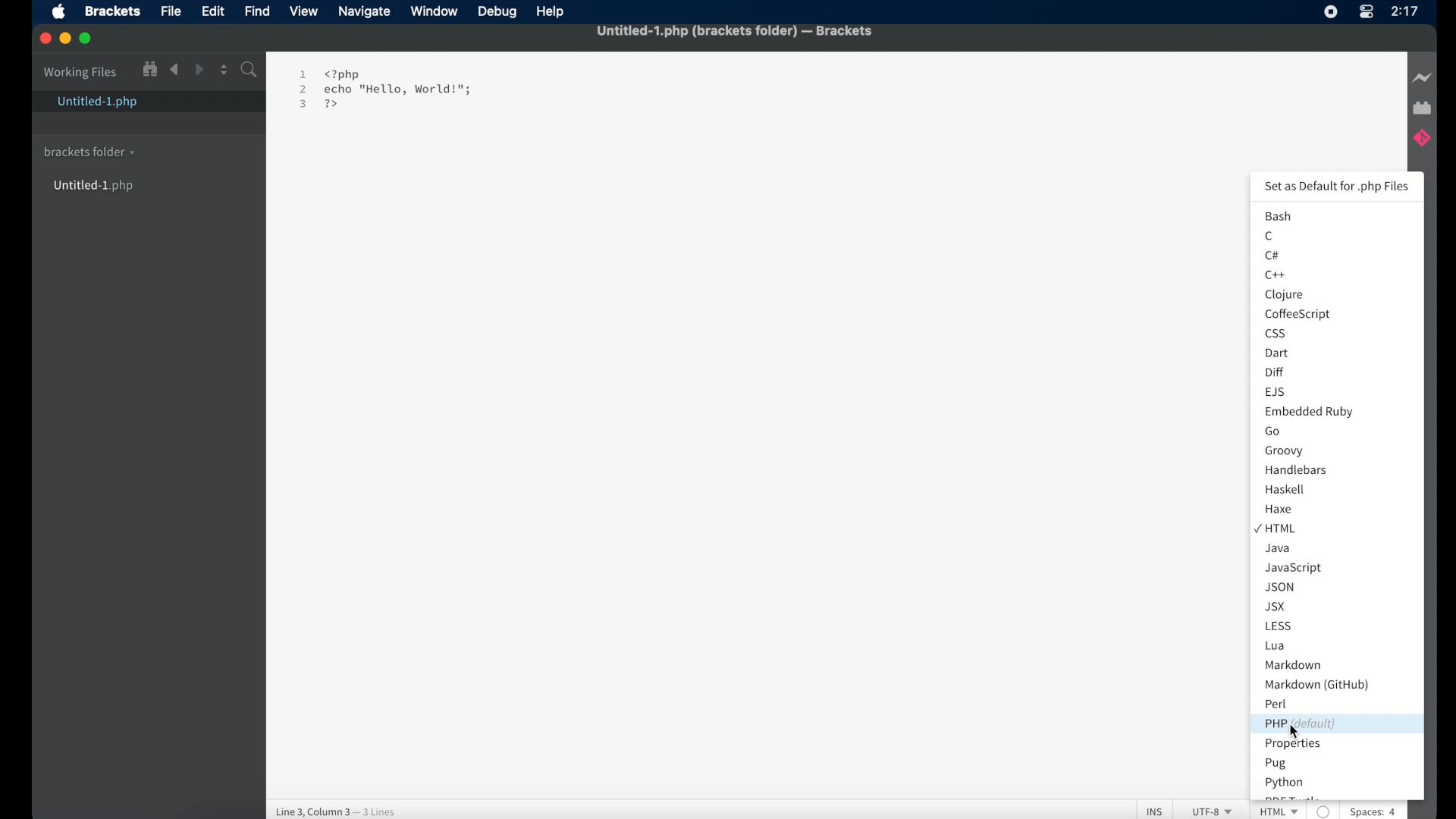 The height and width of the screenshot is (819, 1456). What do you see at coordinates (213, 12) in the screenshot?
I see `edit` at bounding box center [213, 12].